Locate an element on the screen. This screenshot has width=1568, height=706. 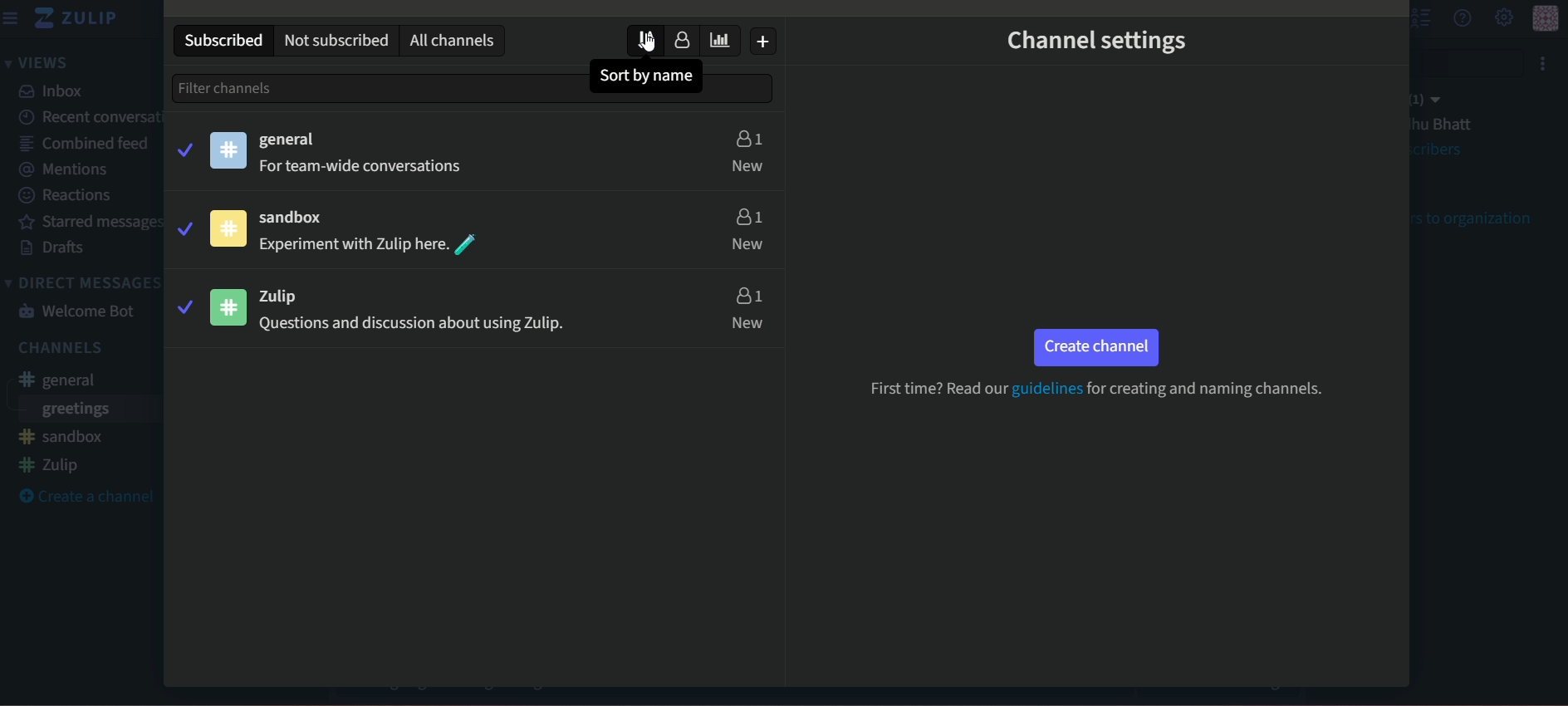
users is located at coordinates (747, 229).